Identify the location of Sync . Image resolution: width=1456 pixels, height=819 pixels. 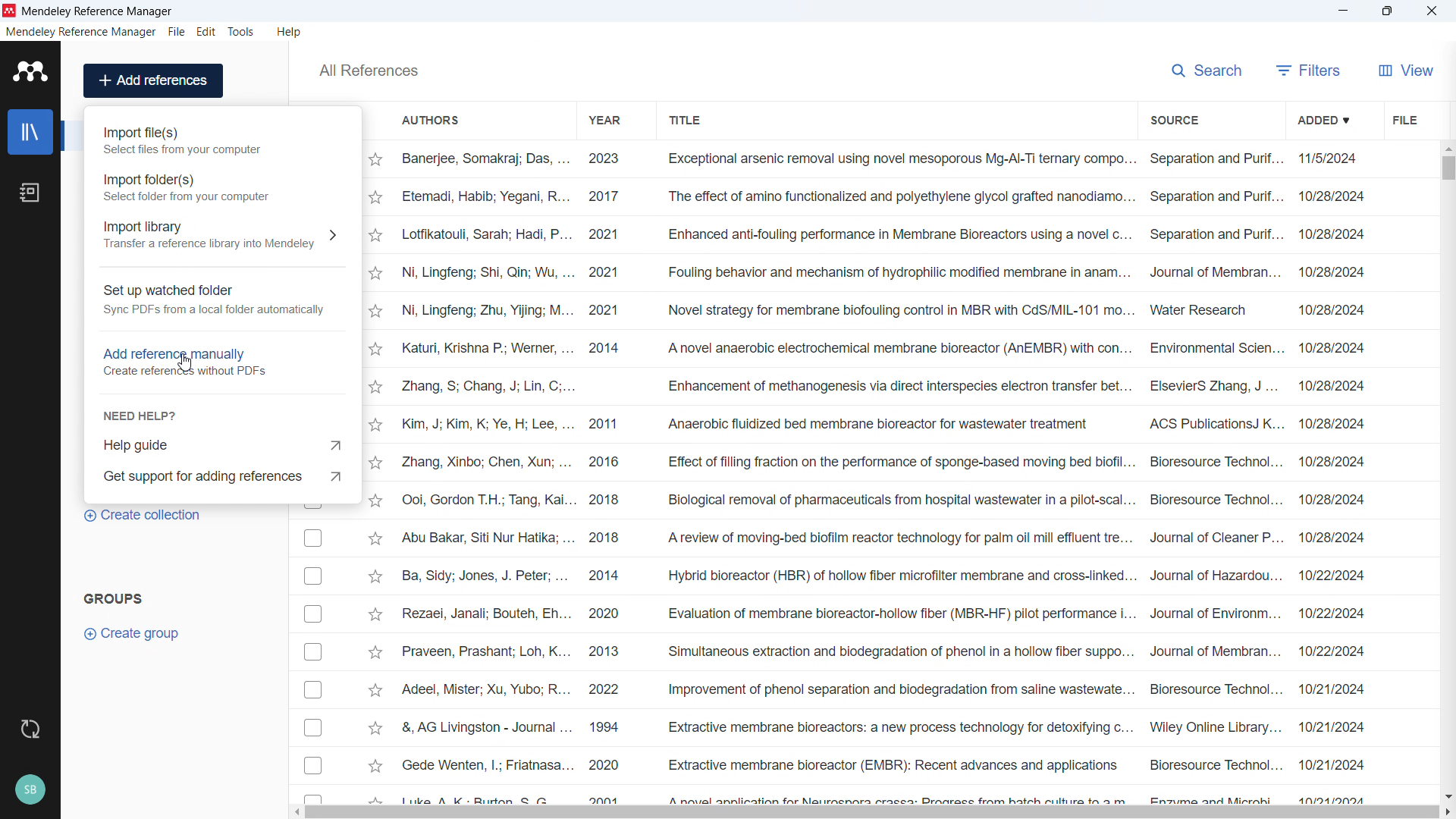
(30, 730).